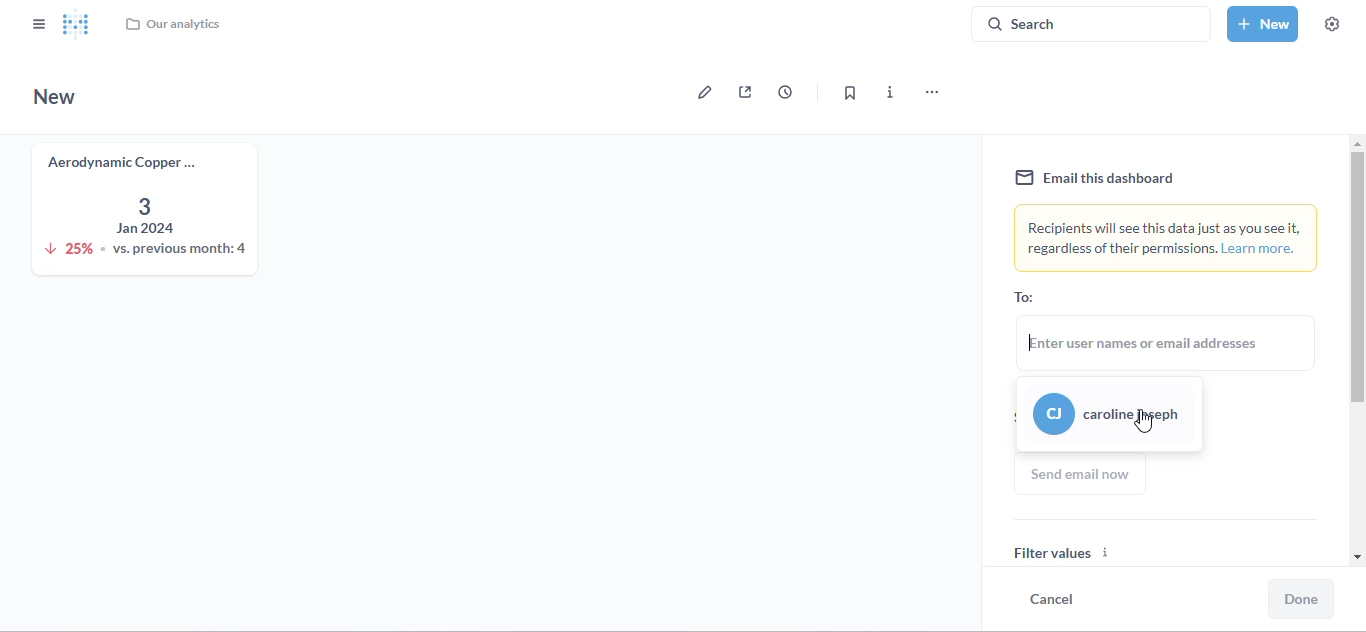 The width and height of the screenshot is (1366, 632). Describe the element at coordinates (930, 93) in the screenshot. I see `more` at that location.